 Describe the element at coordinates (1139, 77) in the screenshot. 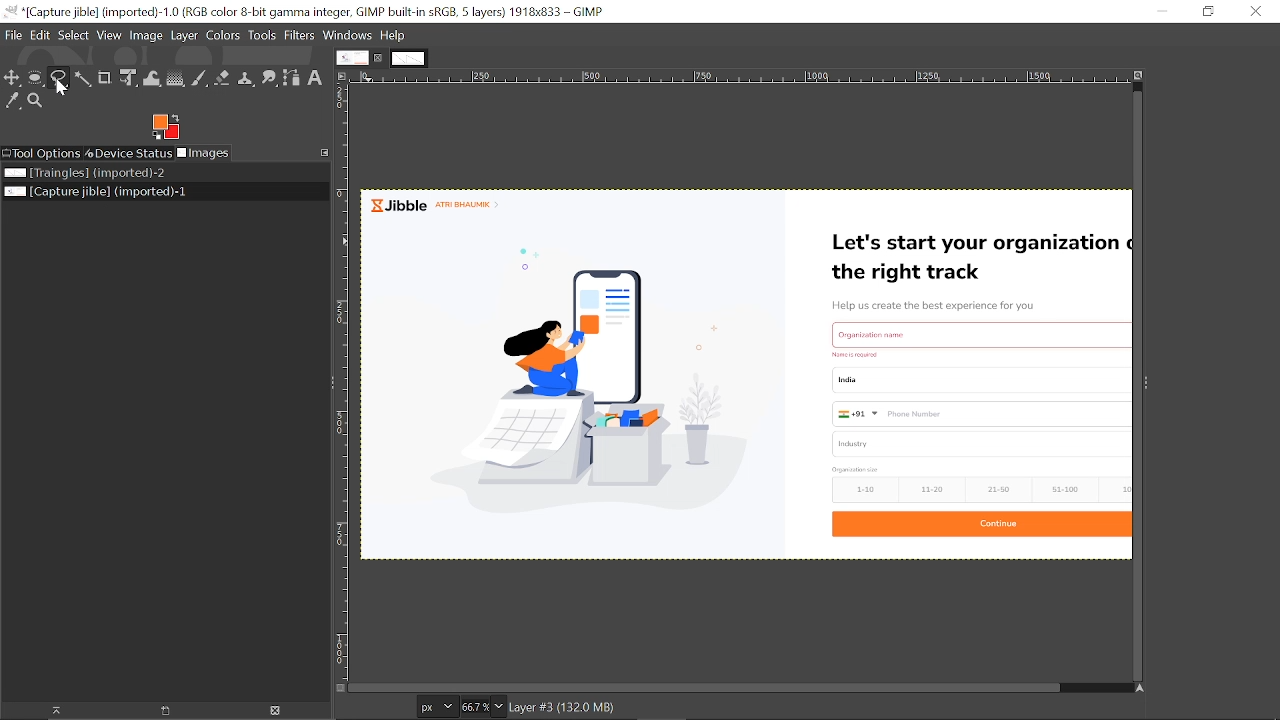

I see `Zoom image when window size changes` at that location.